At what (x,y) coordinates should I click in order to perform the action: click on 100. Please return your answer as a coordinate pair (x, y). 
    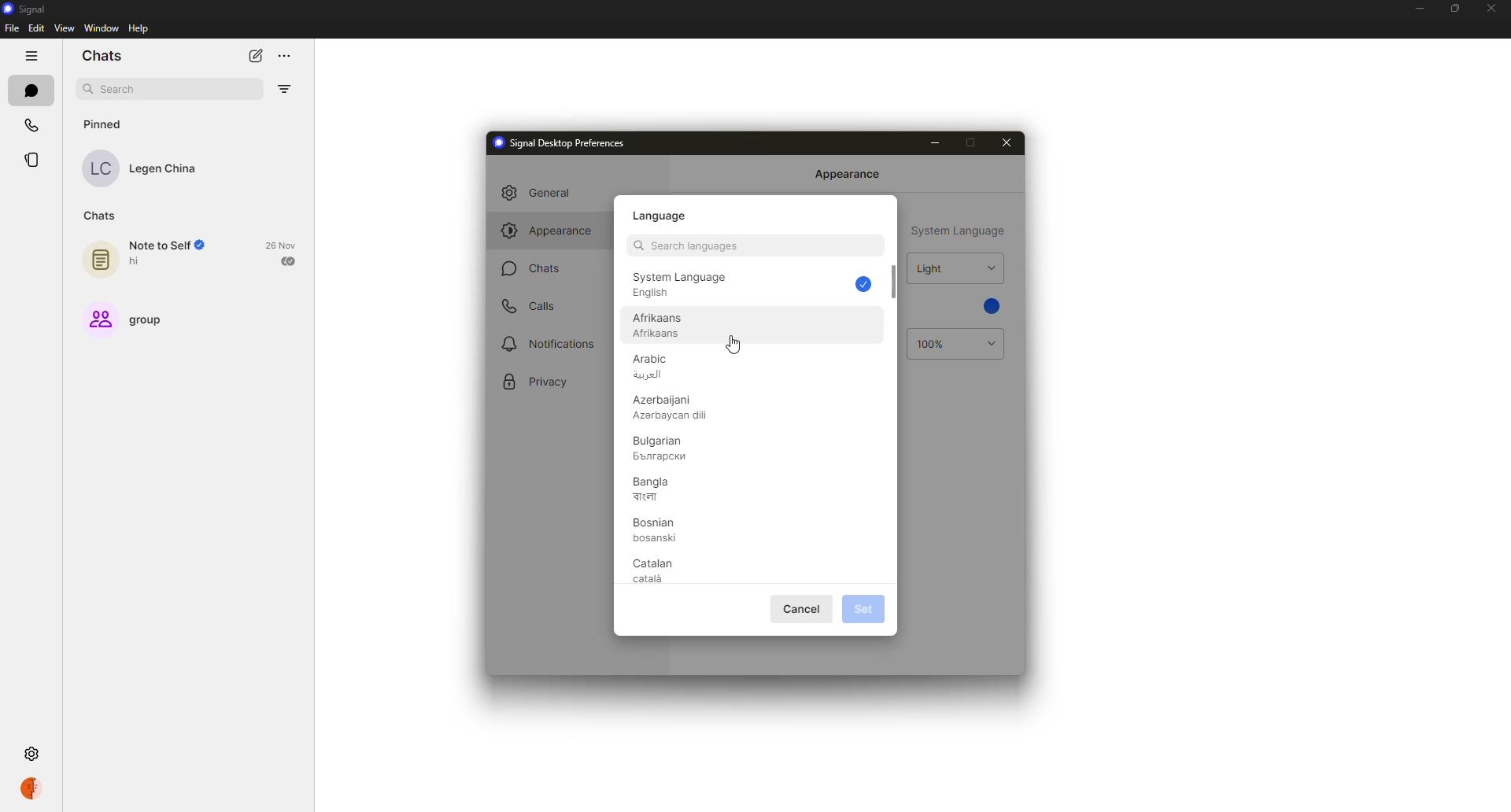
    Looking at the image, I should click on (934, 344).